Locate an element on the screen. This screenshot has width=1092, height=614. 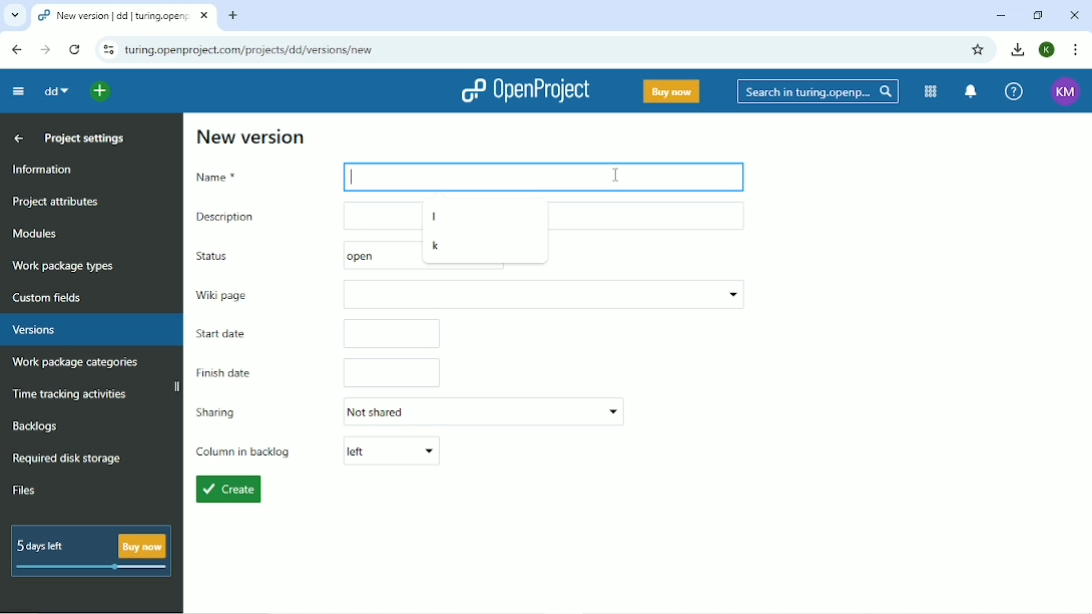
Close is located at coordinates (1074, 15).